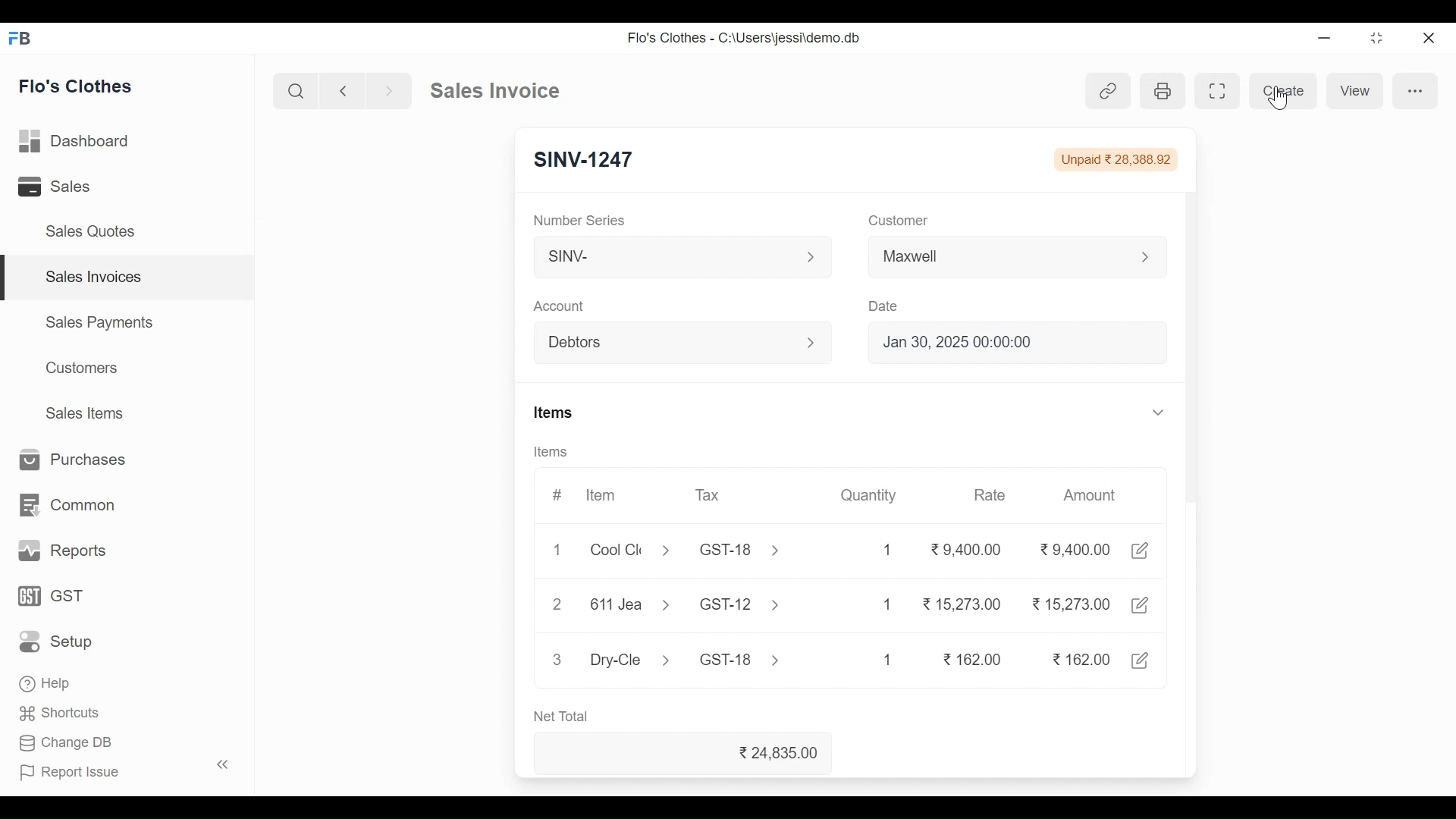 The image size is (1456, 819). Describe the element at coordinates (557, 495) in the screenshot. I see `#` at that location.